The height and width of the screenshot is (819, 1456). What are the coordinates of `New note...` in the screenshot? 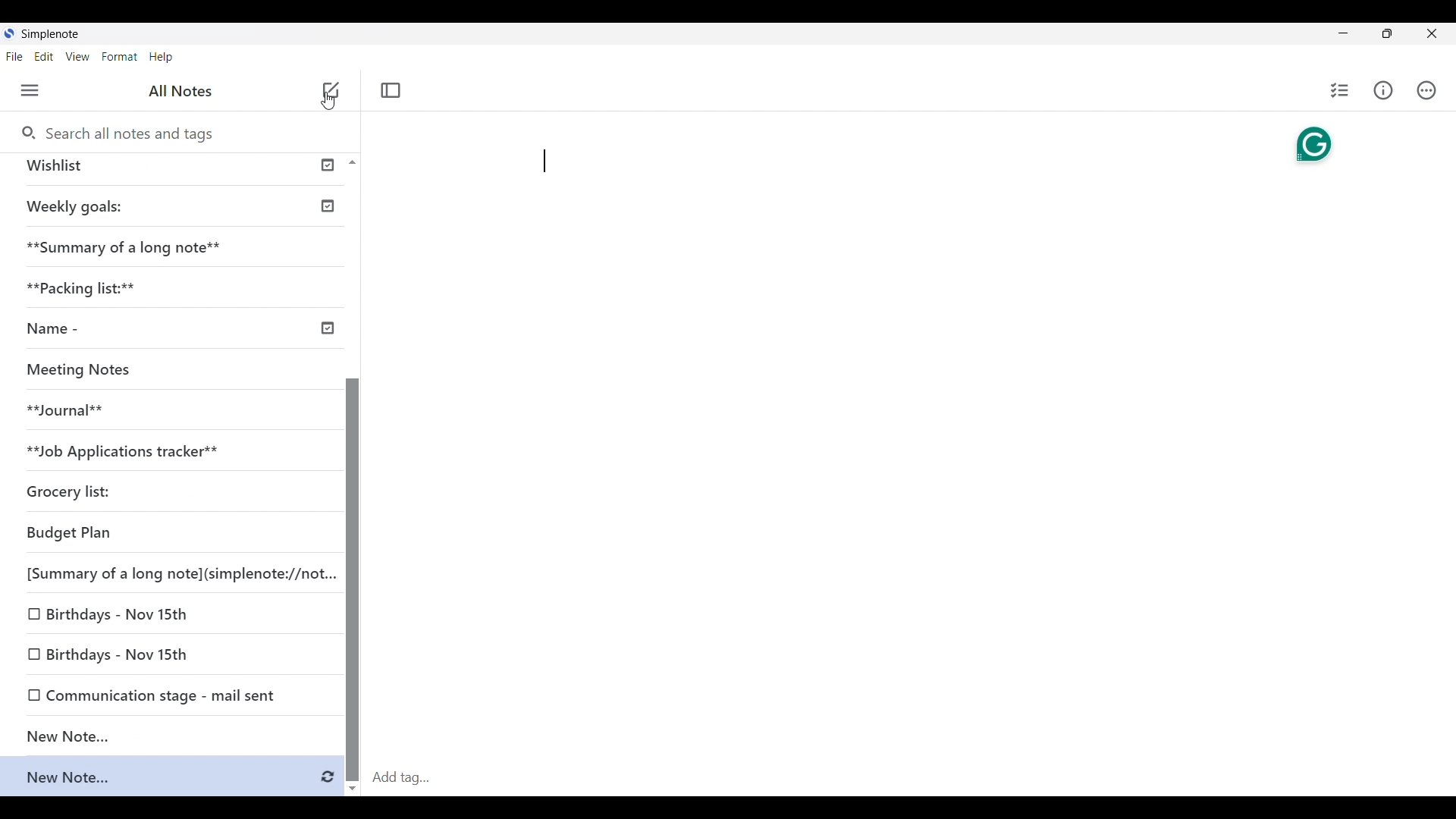 It's located at (147, 774).